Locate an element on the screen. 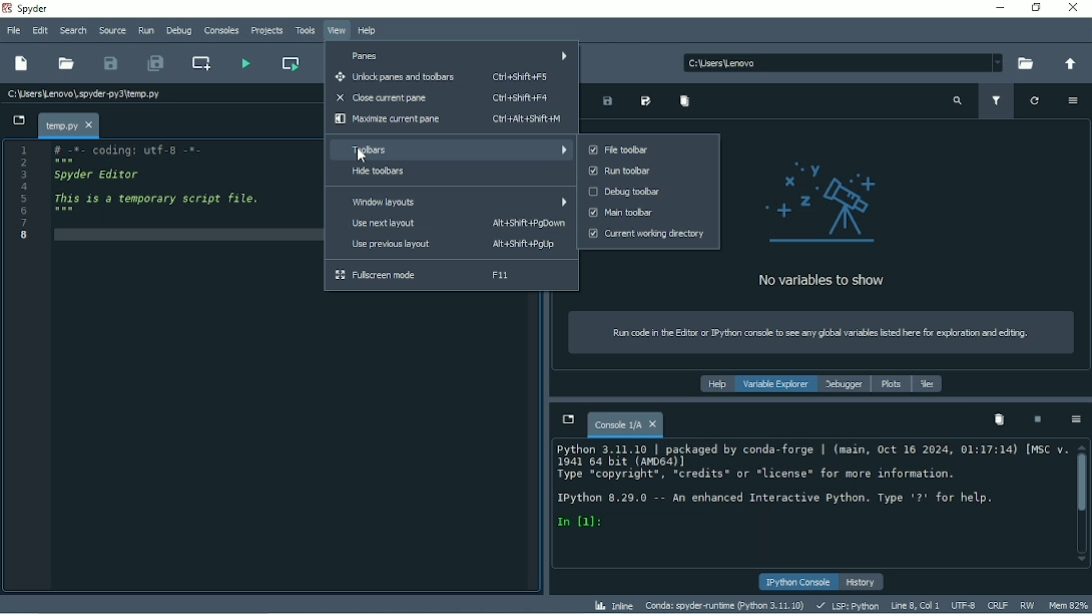  Use next layout is located at coordinates (451, 223).